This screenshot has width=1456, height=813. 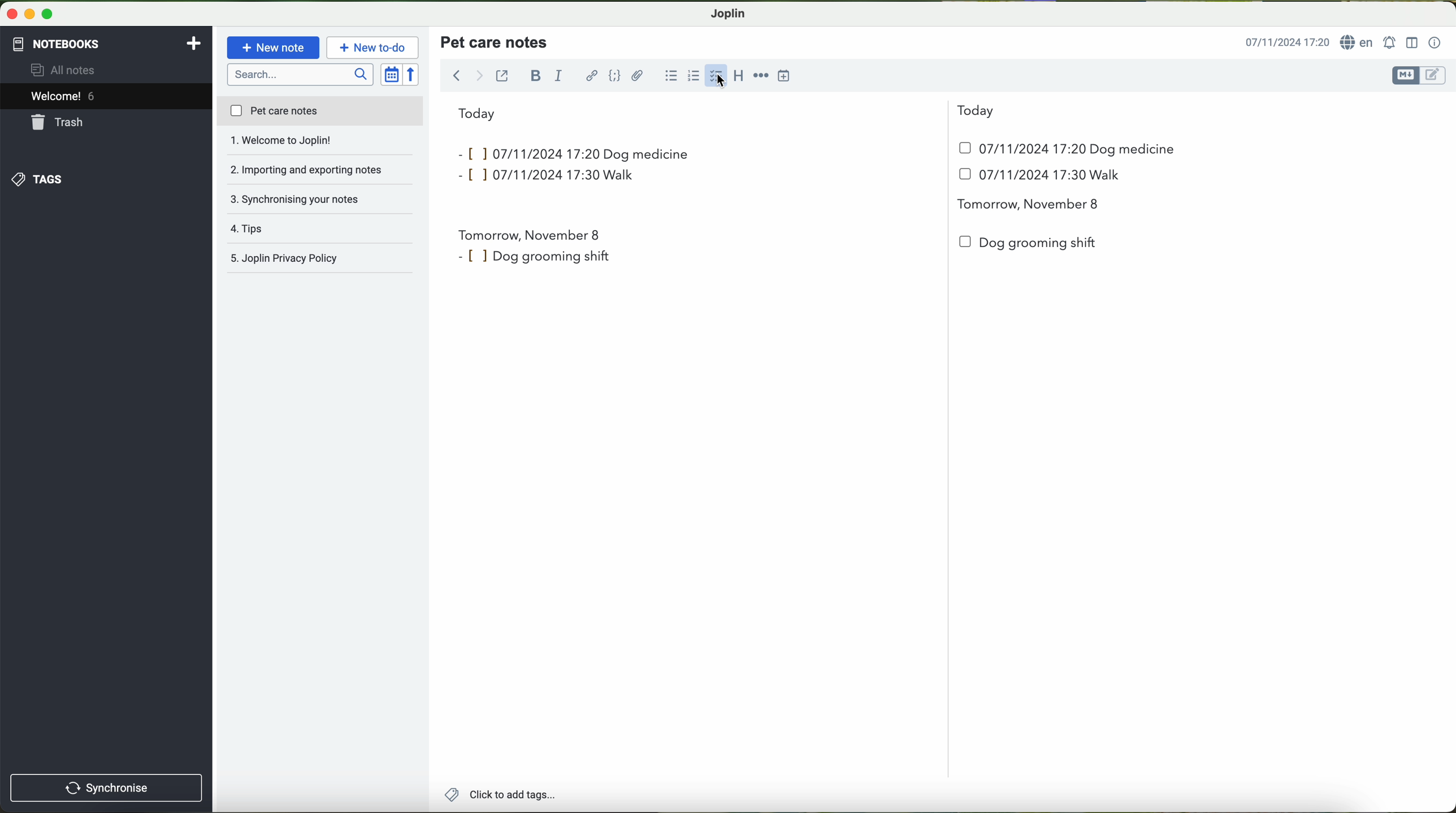 What do you see at coordinates (814, 179) in the screenshot?
I see `date and hour` at bounding box center [814, 179].